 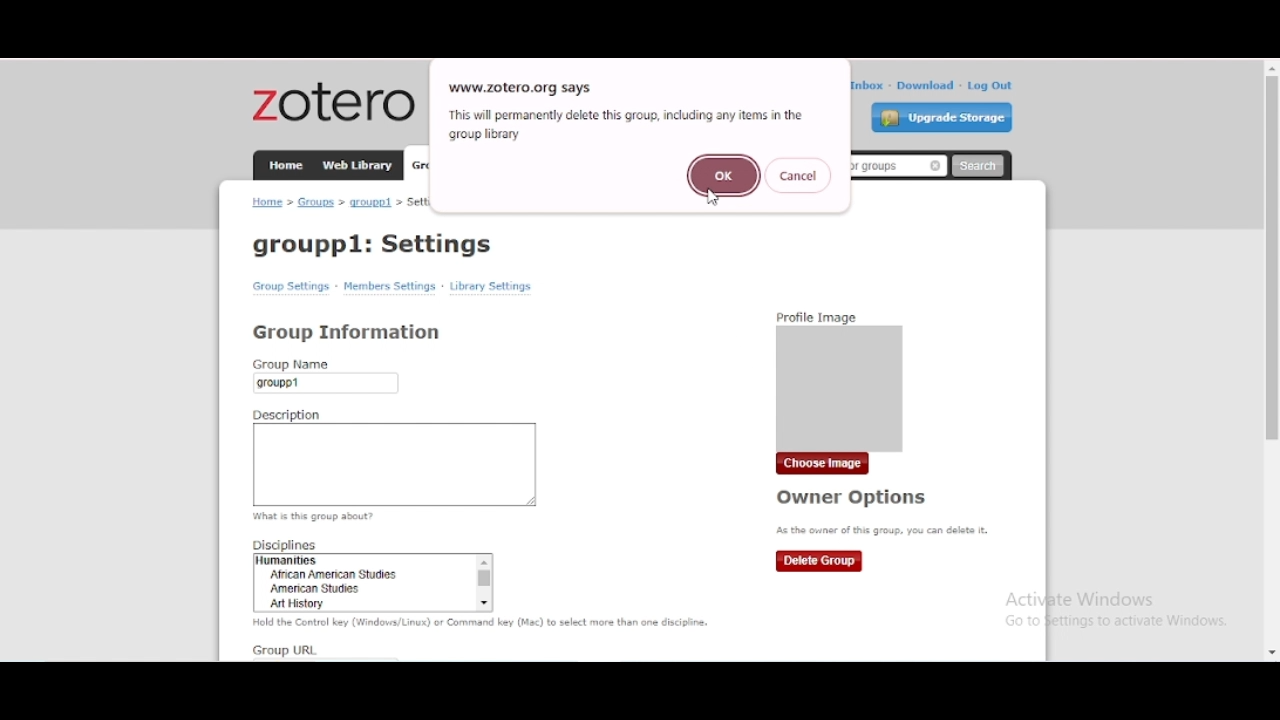 I want to click on group name, so click(x=328, y=376).